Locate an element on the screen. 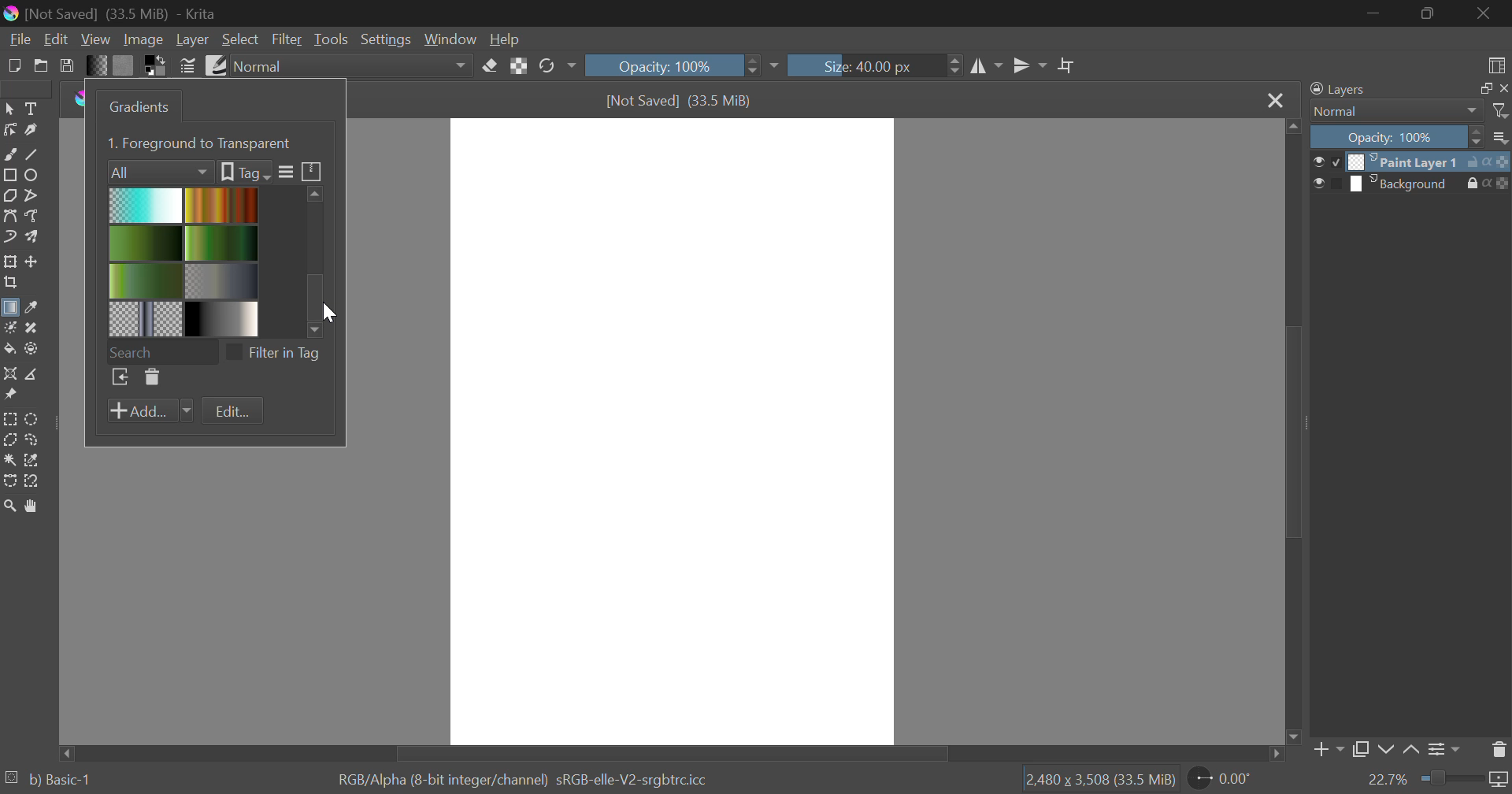 The width and height of the screenshot is (1512, 794). Assistant Tool is located at coordinates (10, 375).